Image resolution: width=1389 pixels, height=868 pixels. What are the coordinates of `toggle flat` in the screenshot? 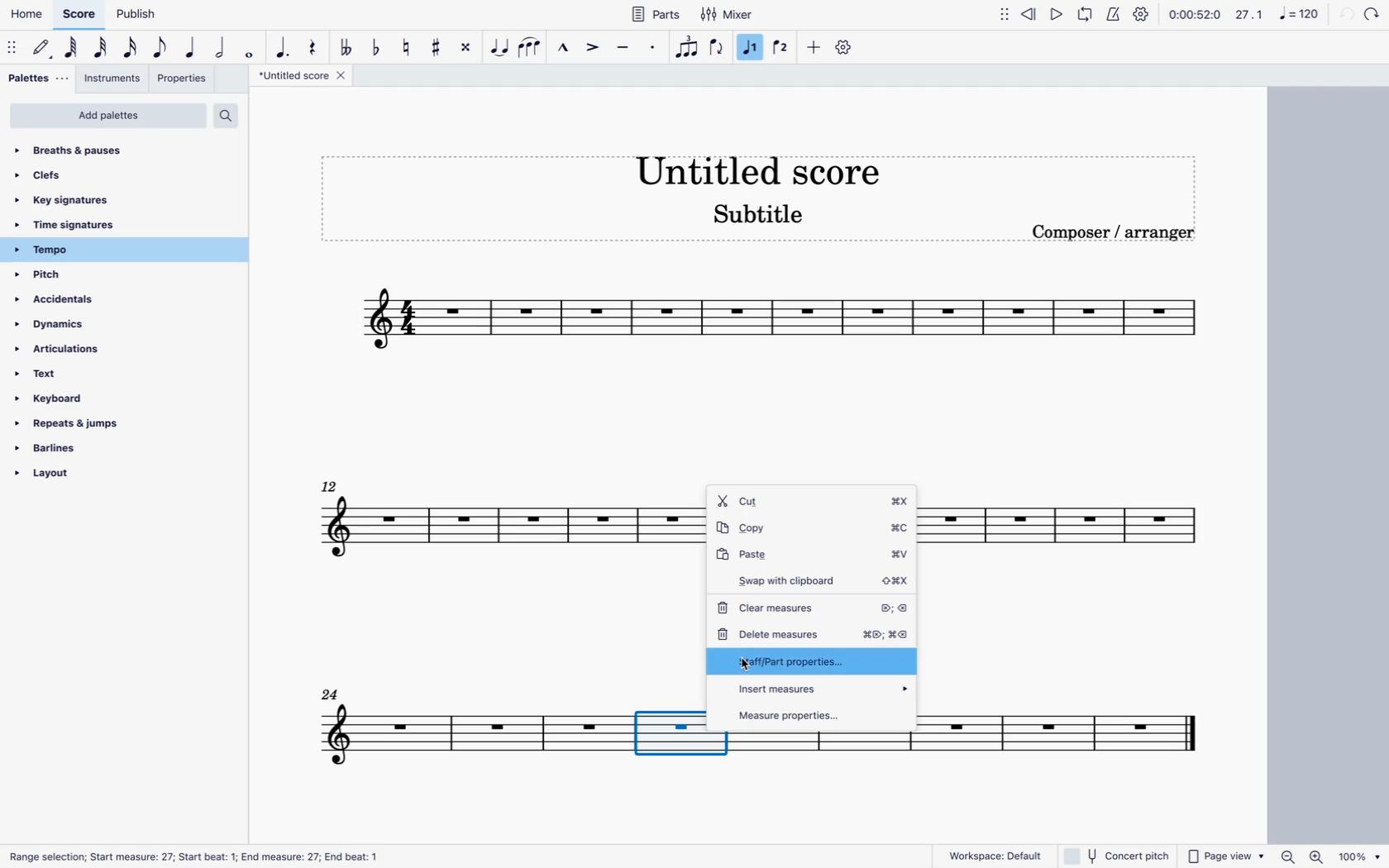 It's located at (379, 47).